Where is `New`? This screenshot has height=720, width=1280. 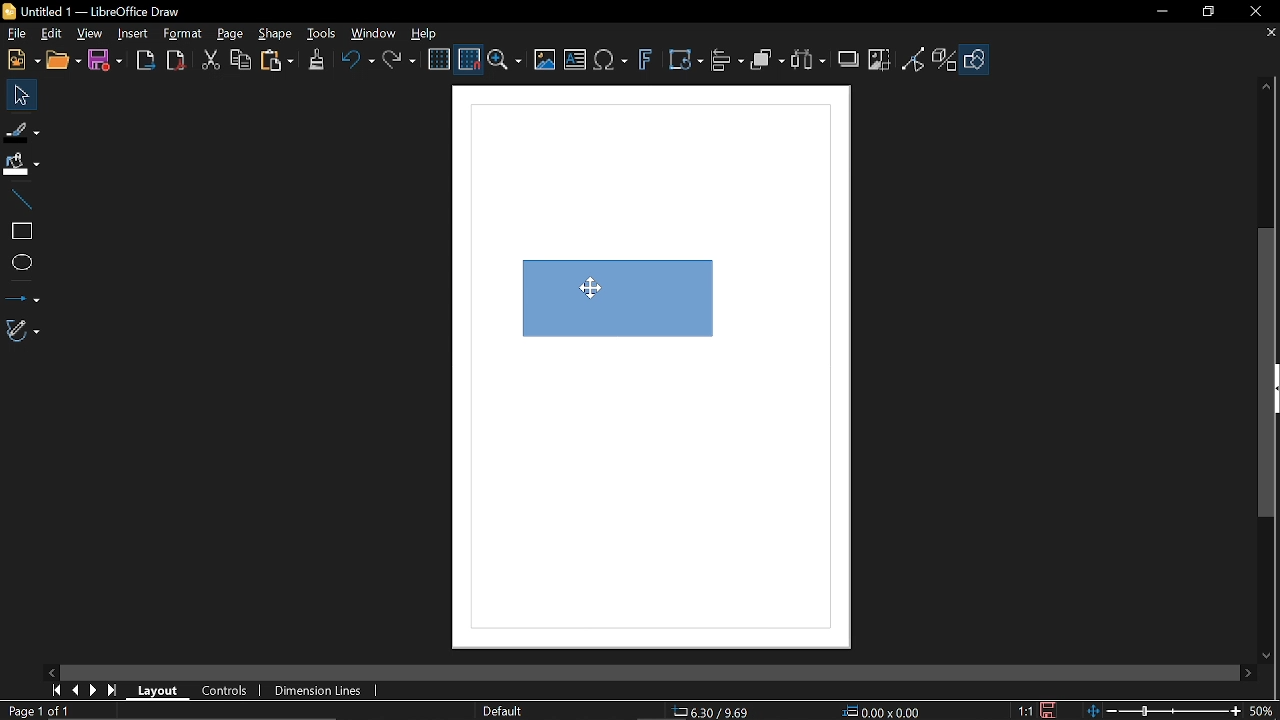
New is located at coordinates (22, 60).